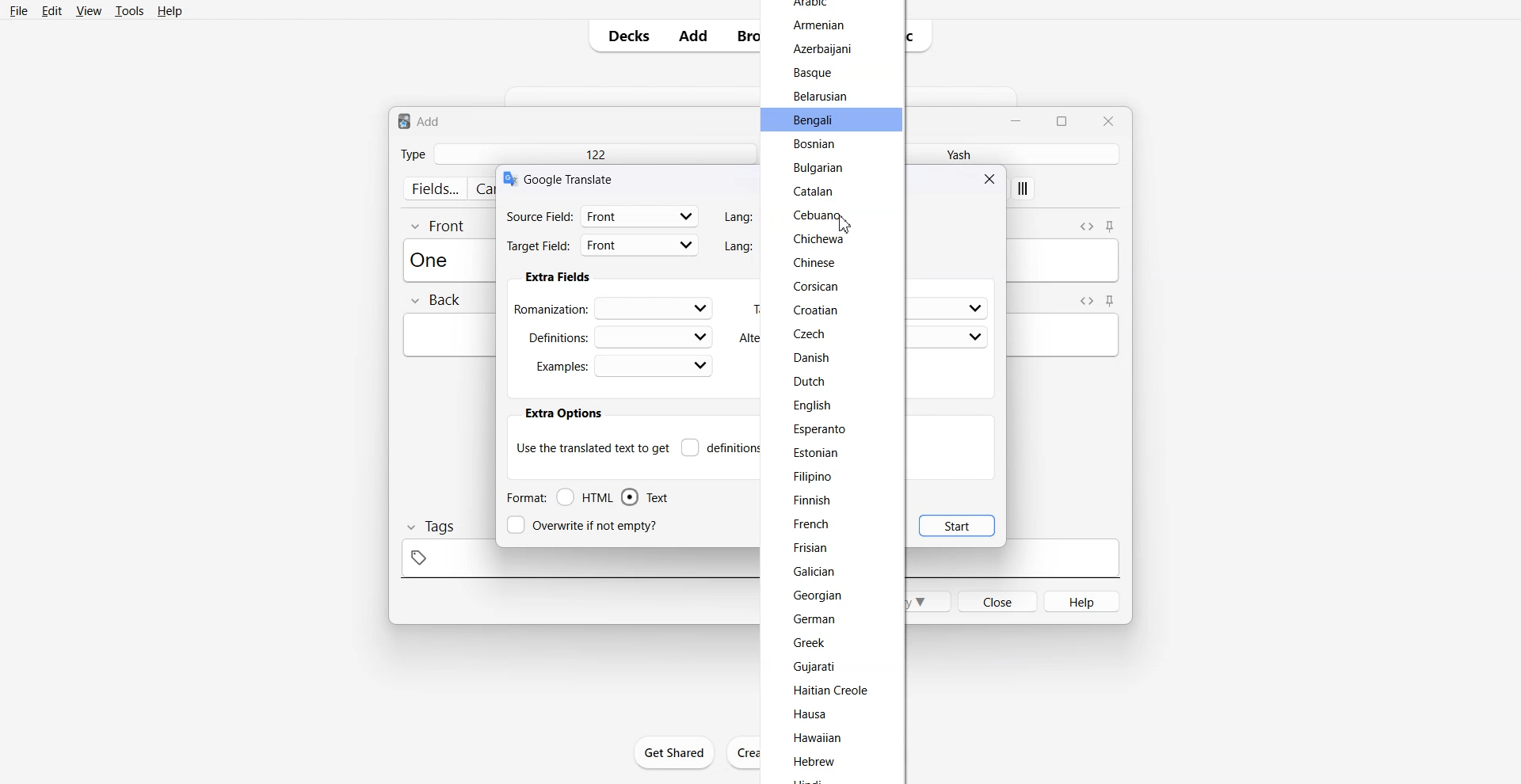 The image size is (1521, 784). Describe the element at coordinates (819, 596) in the screenshot. I see `‘Georgian` at that location.